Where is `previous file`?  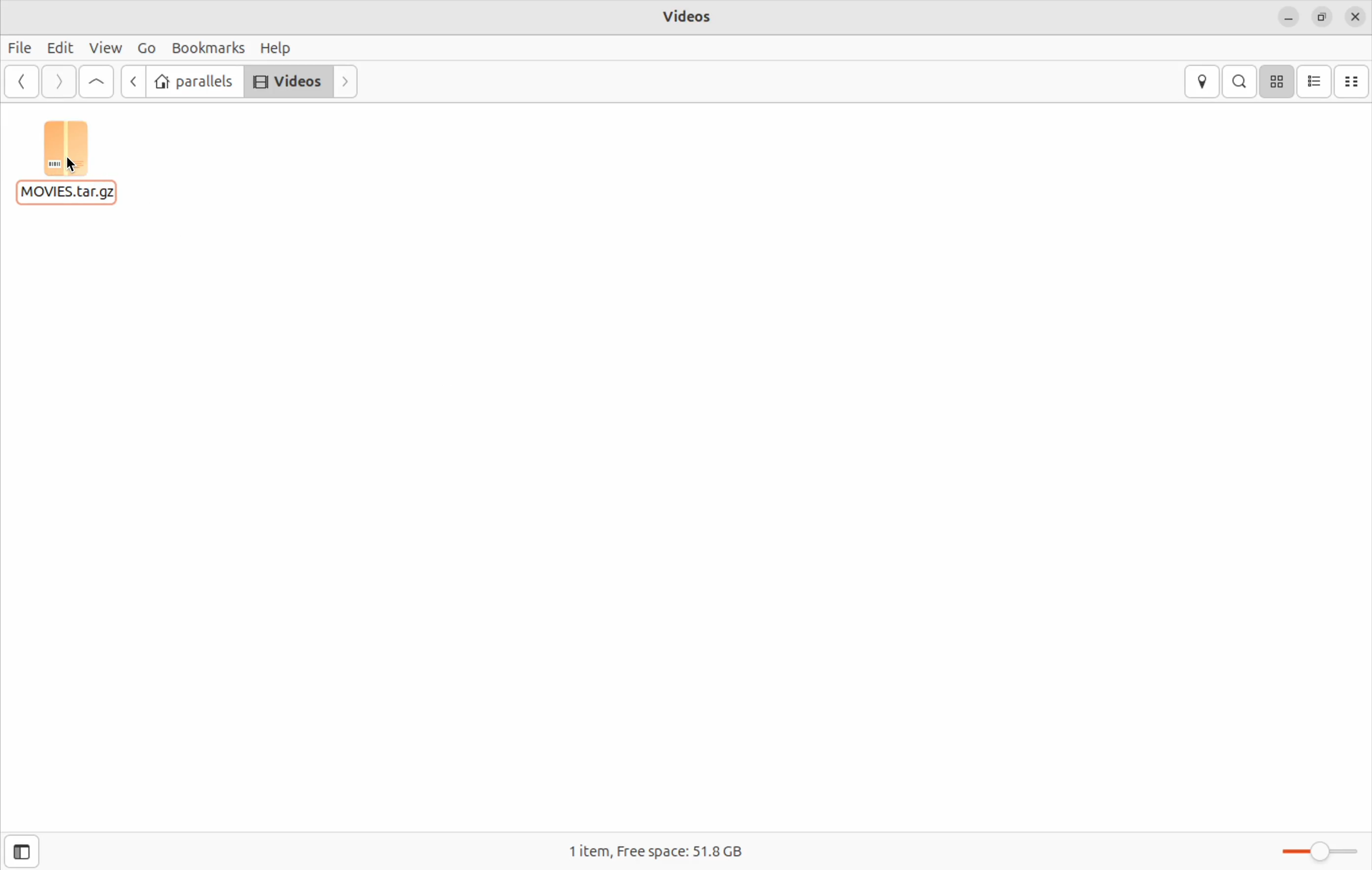
previous file is located at coordinates (132, 83).